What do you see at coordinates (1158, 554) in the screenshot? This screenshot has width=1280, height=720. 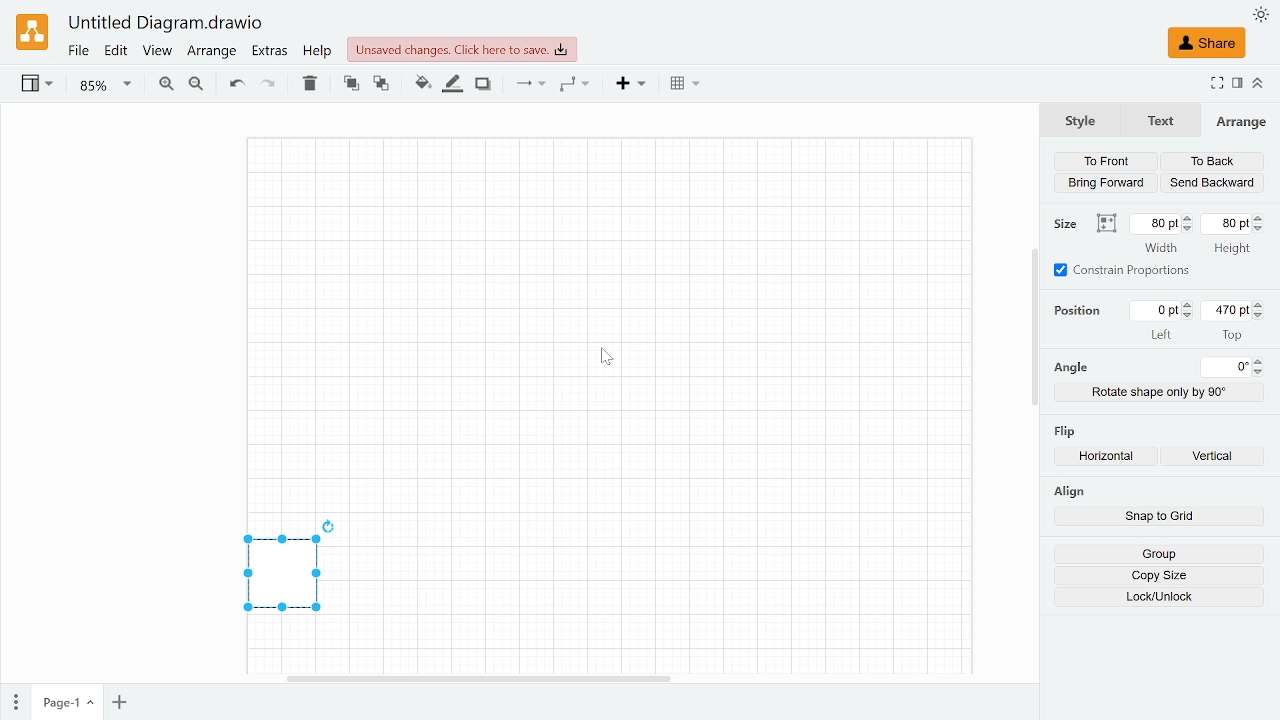 I see `Group` at bounding box center [1158, 554].